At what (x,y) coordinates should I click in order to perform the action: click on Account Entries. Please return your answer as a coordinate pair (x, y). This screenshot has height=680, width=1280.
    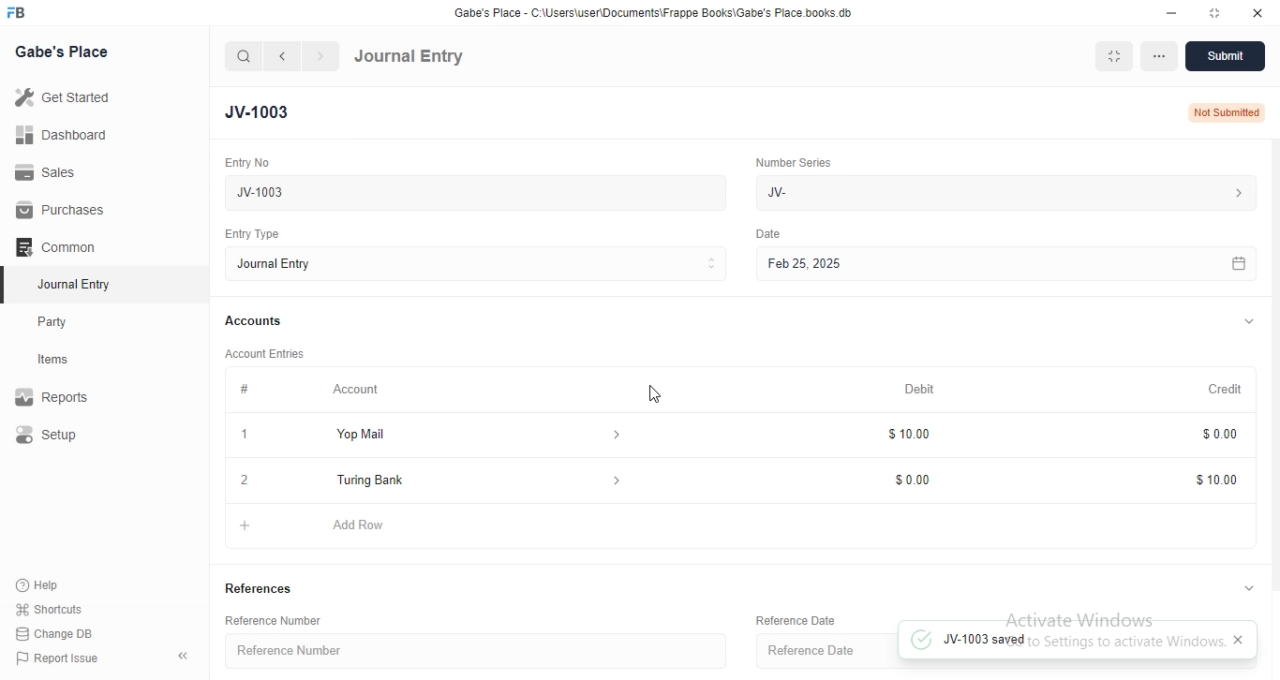
    Looking at the image, I should click on (267, 354).